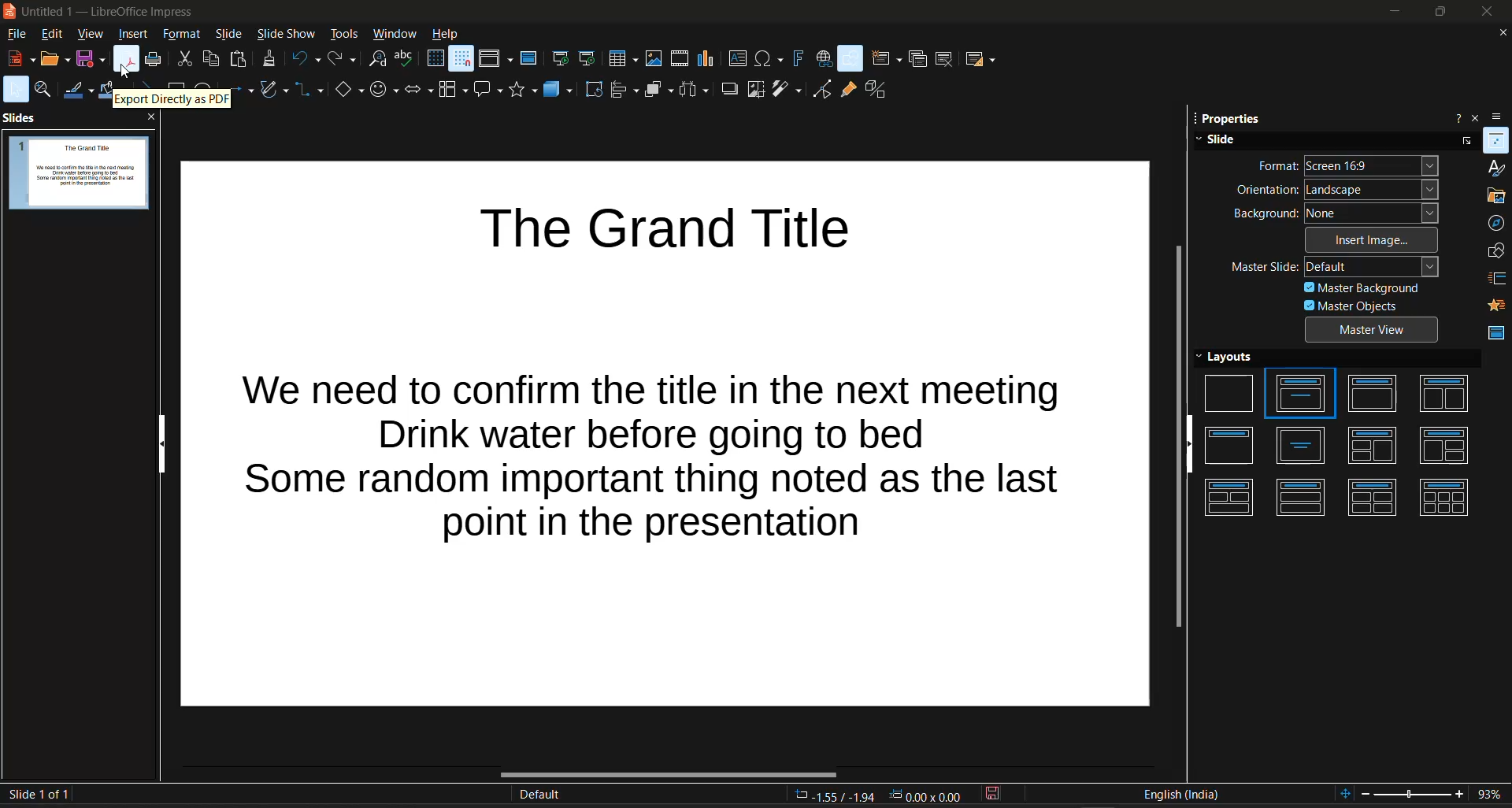 The height and width of the screenshot is (808, 1512). Describe the element at coordinates (42, 794) in the screenshot. I see `side 1 of 1` at that location.